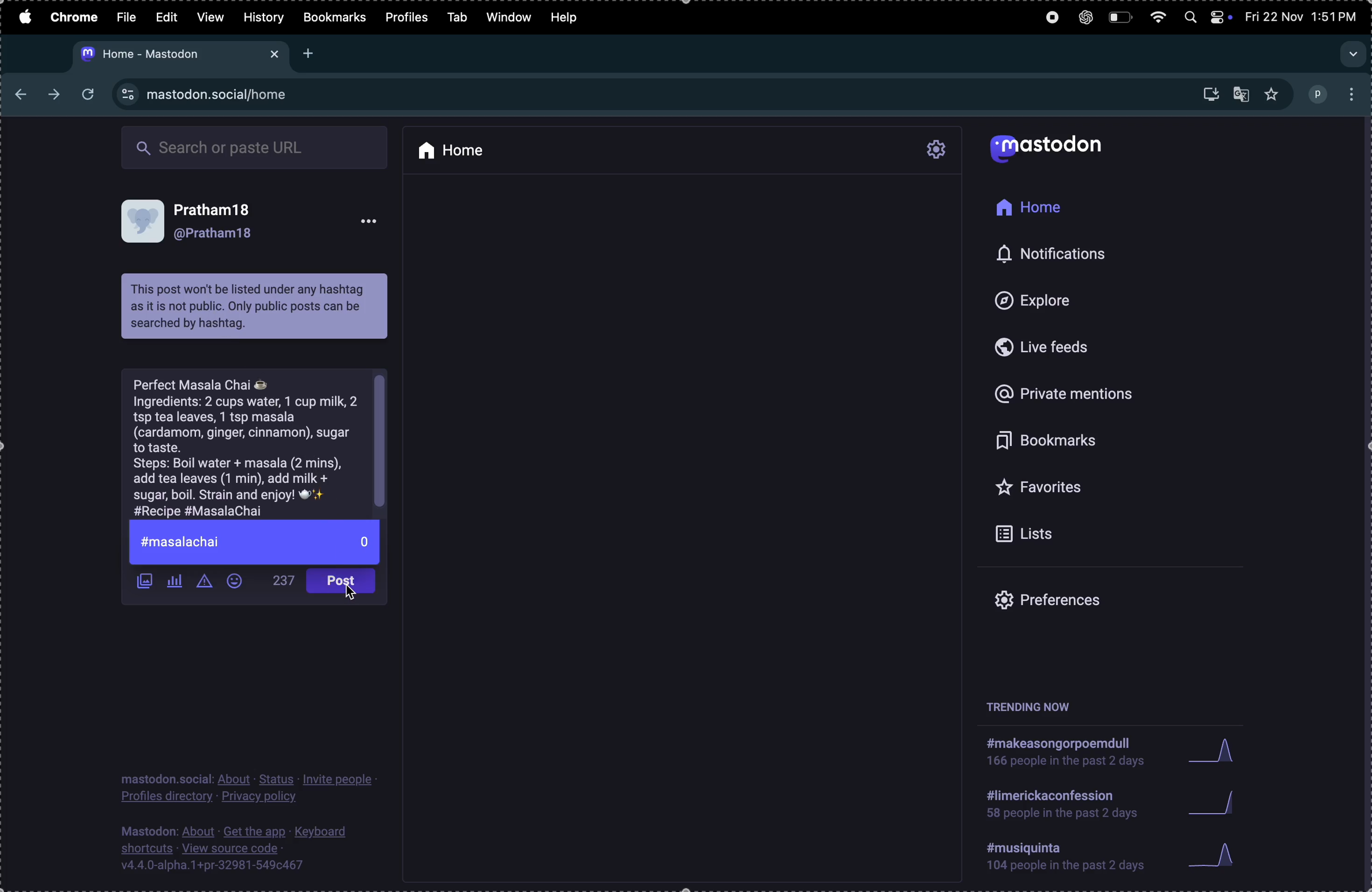 The image size is (1372, 892). I want to click on wifi, so click(1156, 17).